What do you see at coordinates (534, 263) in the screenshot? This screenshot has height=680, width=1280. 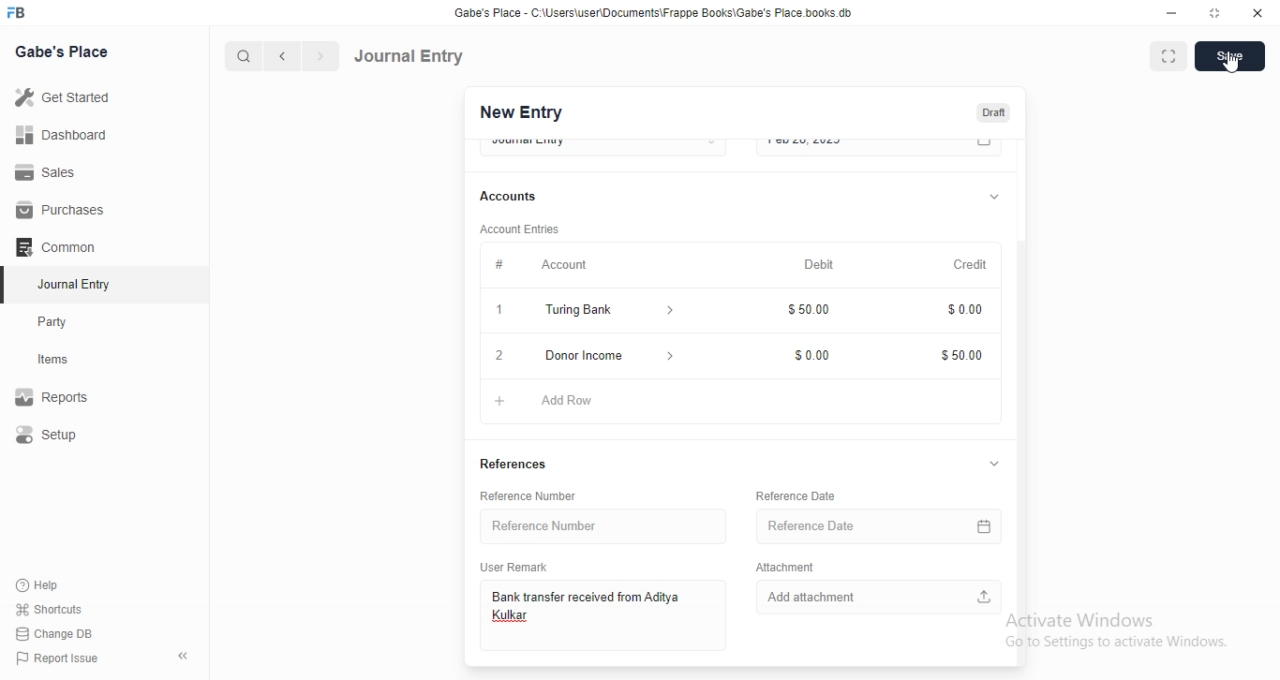 I see `Account` at bounding box center [534, 263].